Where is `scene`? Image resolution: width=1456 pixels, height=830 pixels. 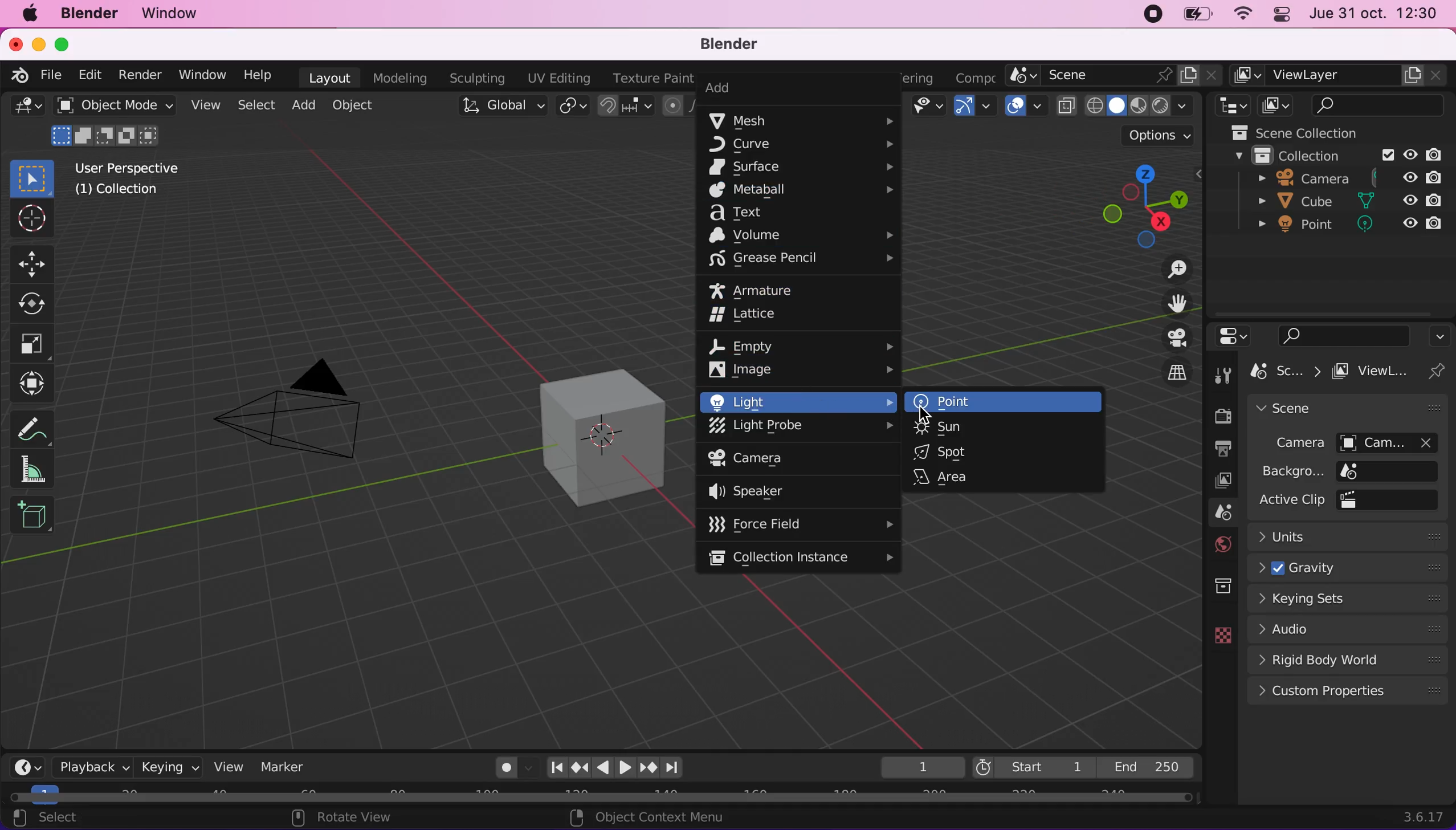 scene is located at coordinates (1115, 75).